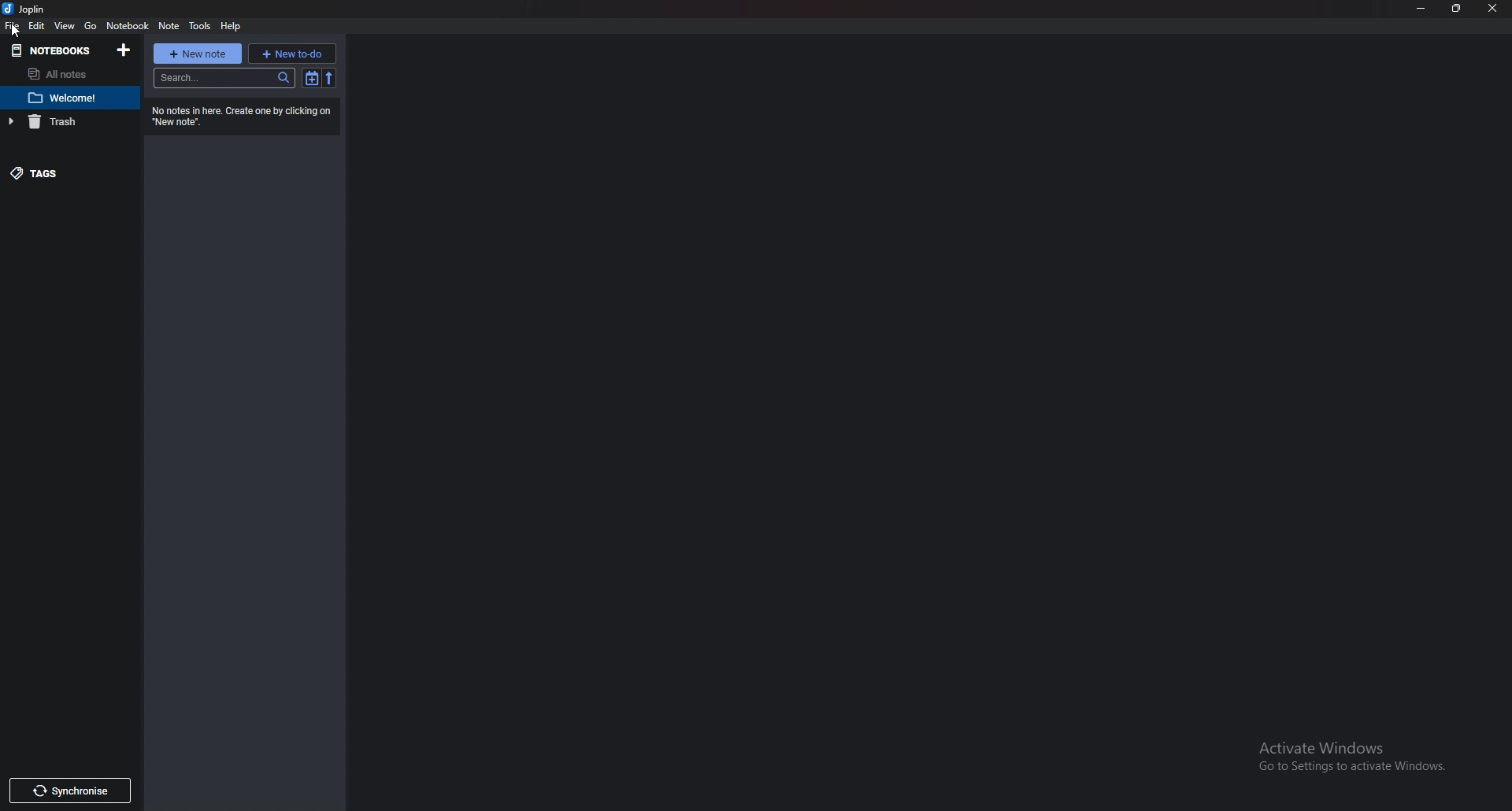  What do you see at coordinates (59, 123) in the screenshot?
I see `trash` at bounding box center [59, 123].